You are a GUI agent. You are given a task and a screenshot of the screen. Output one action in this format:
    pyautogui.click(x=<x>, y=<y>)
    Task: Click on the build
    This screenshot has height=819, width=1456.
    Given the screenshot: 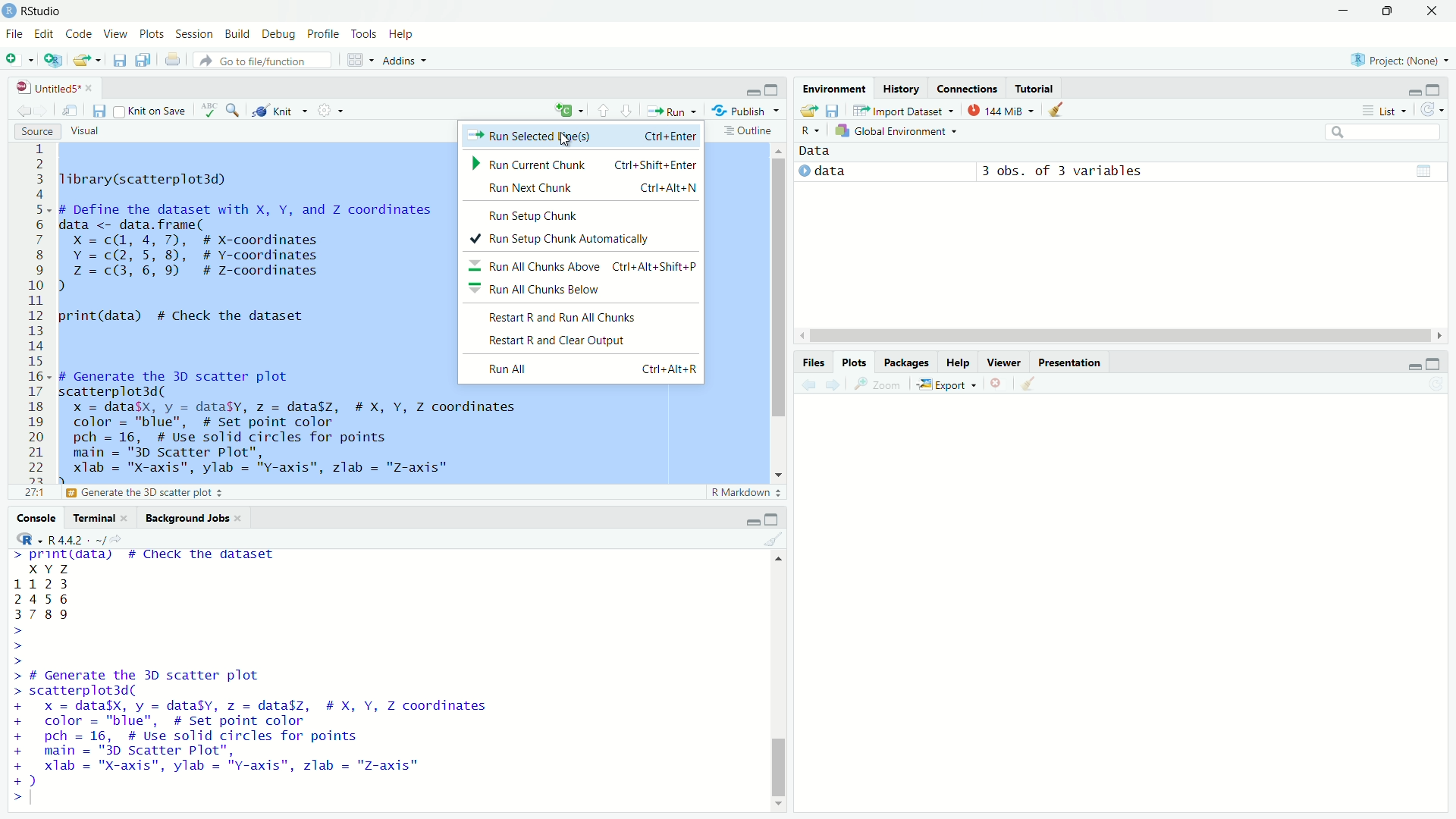 What is the action you would take?
    pyautogui.click(x=240, y=35)
    